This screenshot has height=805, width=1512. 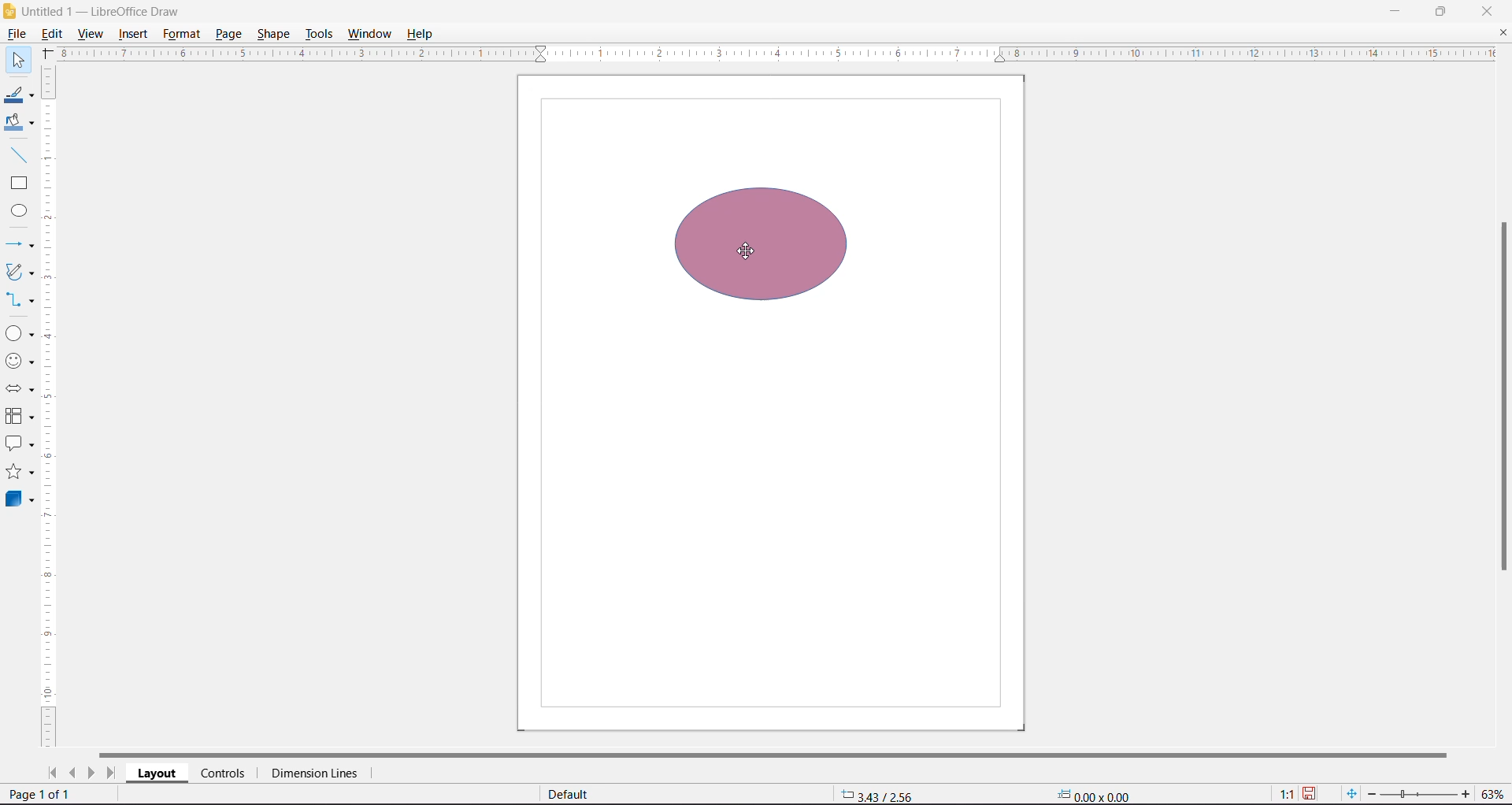 I want to click on Scroll to previous page, so click(x=73, y=773).